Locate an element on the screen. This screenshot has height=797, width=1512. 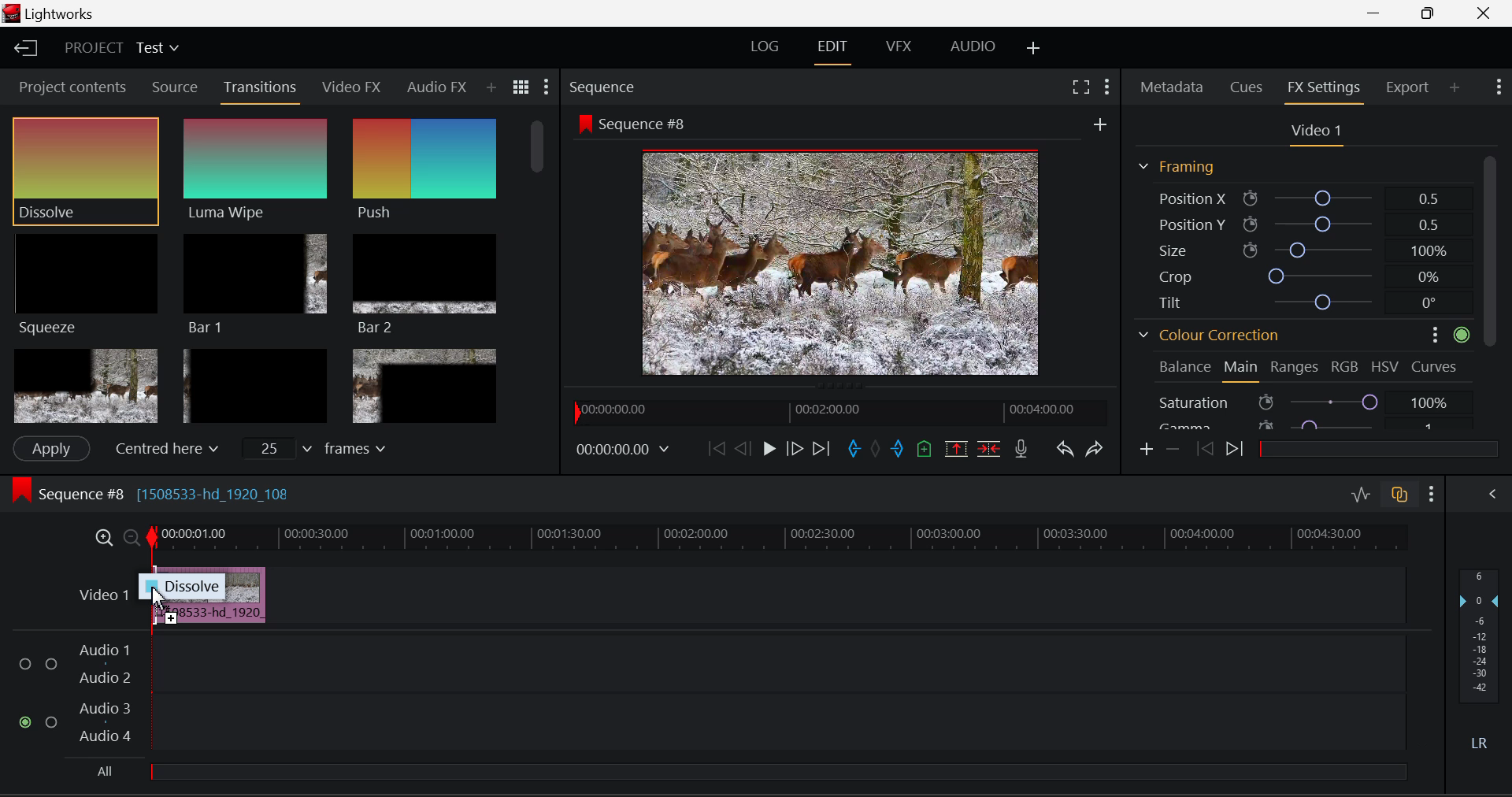
Next keyframe is located at coordinates (1235, 450).